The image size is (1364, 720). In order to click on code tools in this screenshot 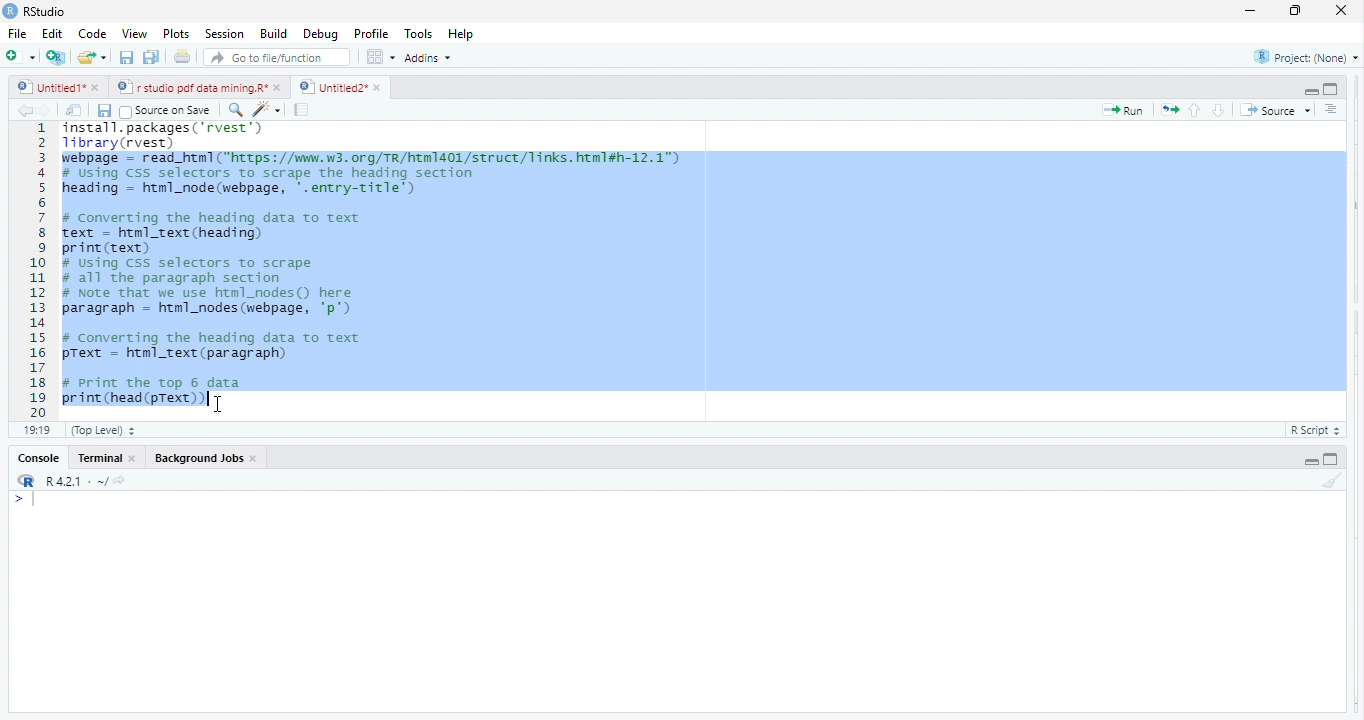, I will do `click(267, 109)`.